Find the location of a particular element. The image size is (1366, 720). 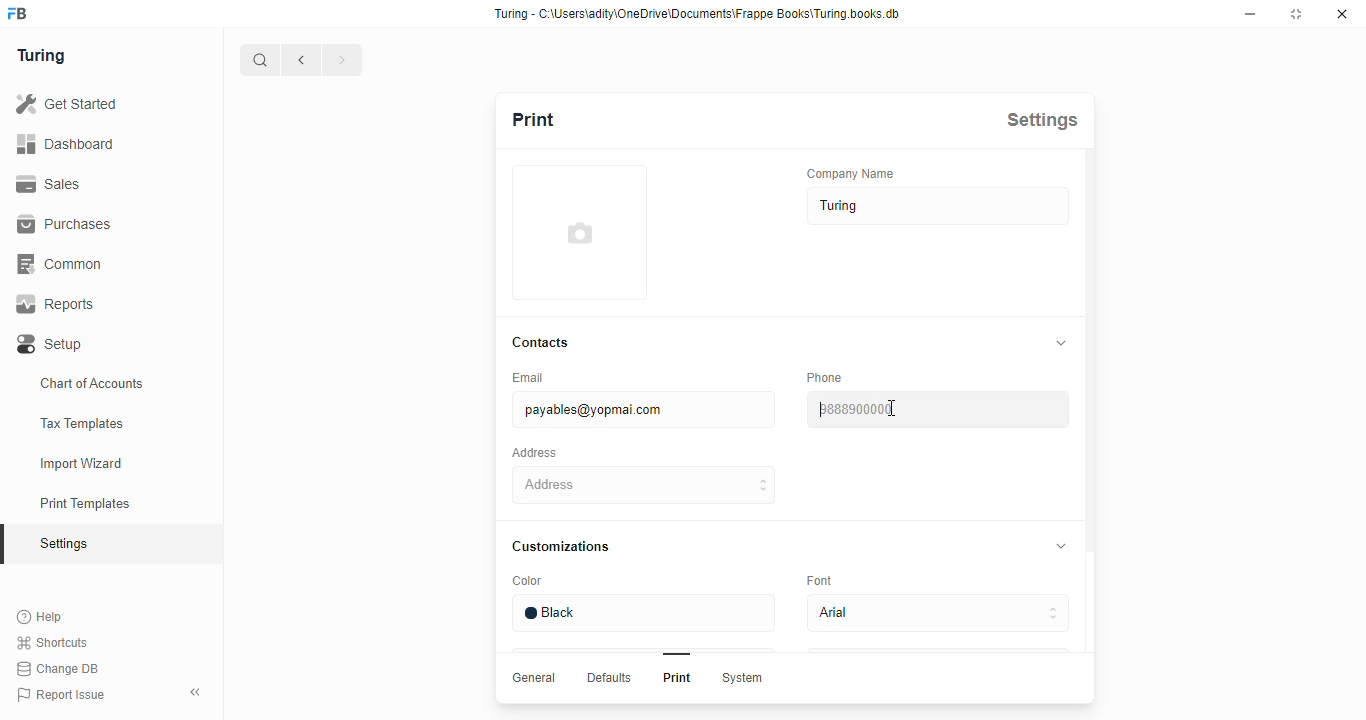

payables@yopmai com is located at coordinates (636, 411).